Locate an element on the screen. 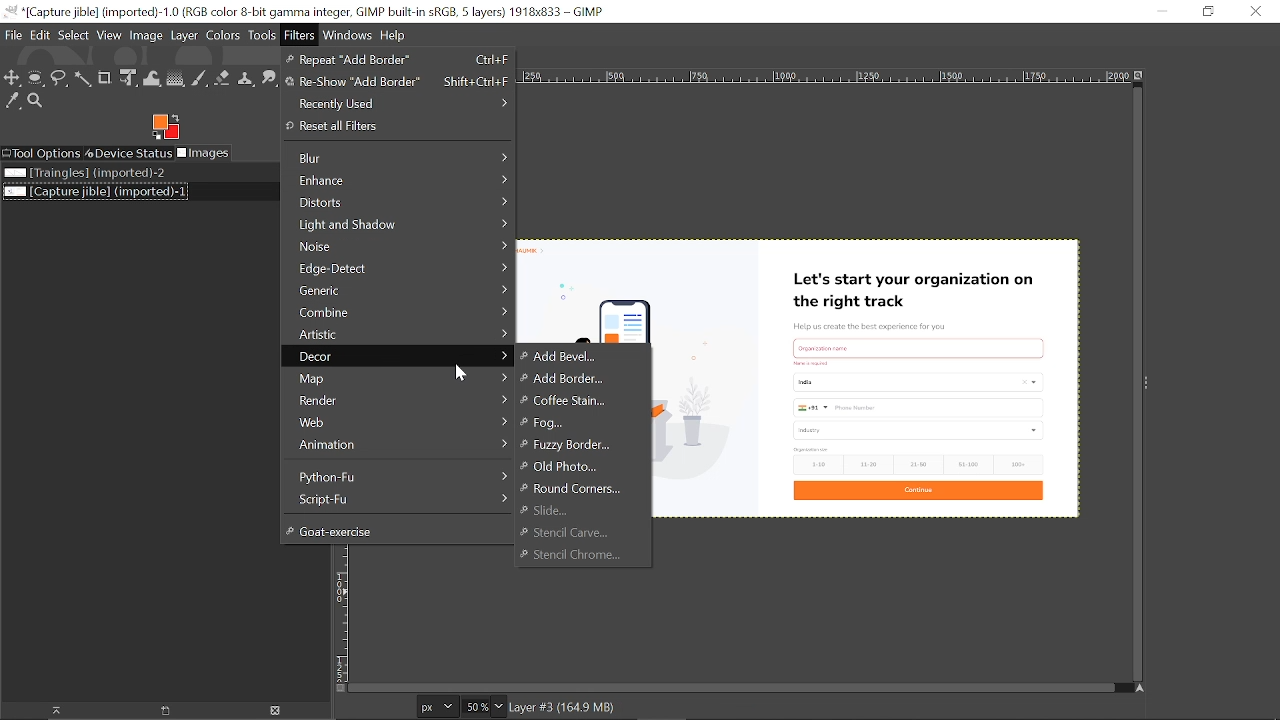  Sidebar menu is located at coordinates (1148, 383).